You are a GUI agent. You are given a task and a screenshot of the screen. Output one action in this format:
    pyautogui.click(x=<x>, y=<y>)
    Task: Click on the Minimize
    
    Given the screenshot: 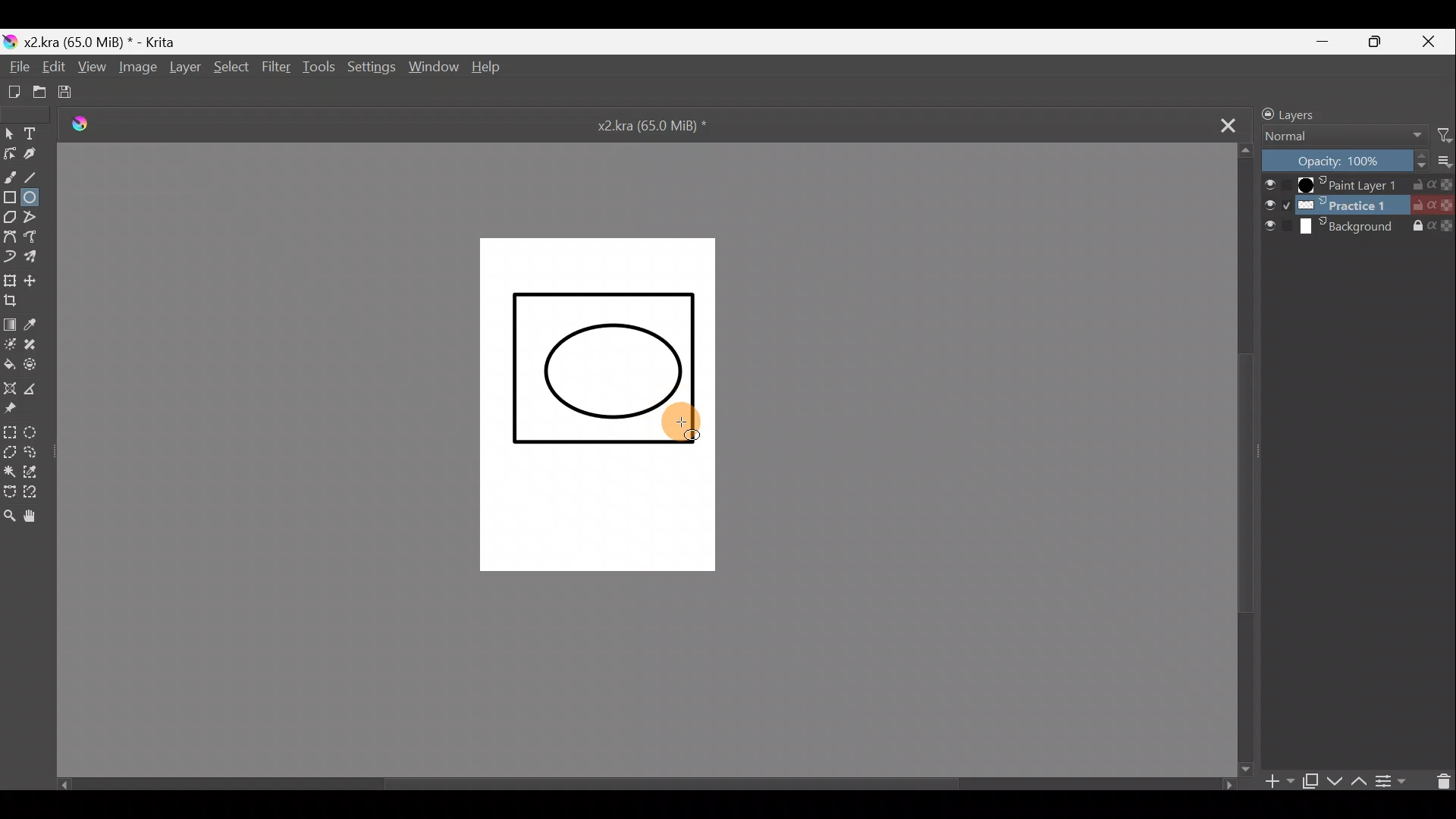 What is the action you would take?
    pyautogui.click(x=1332, y=42)
    